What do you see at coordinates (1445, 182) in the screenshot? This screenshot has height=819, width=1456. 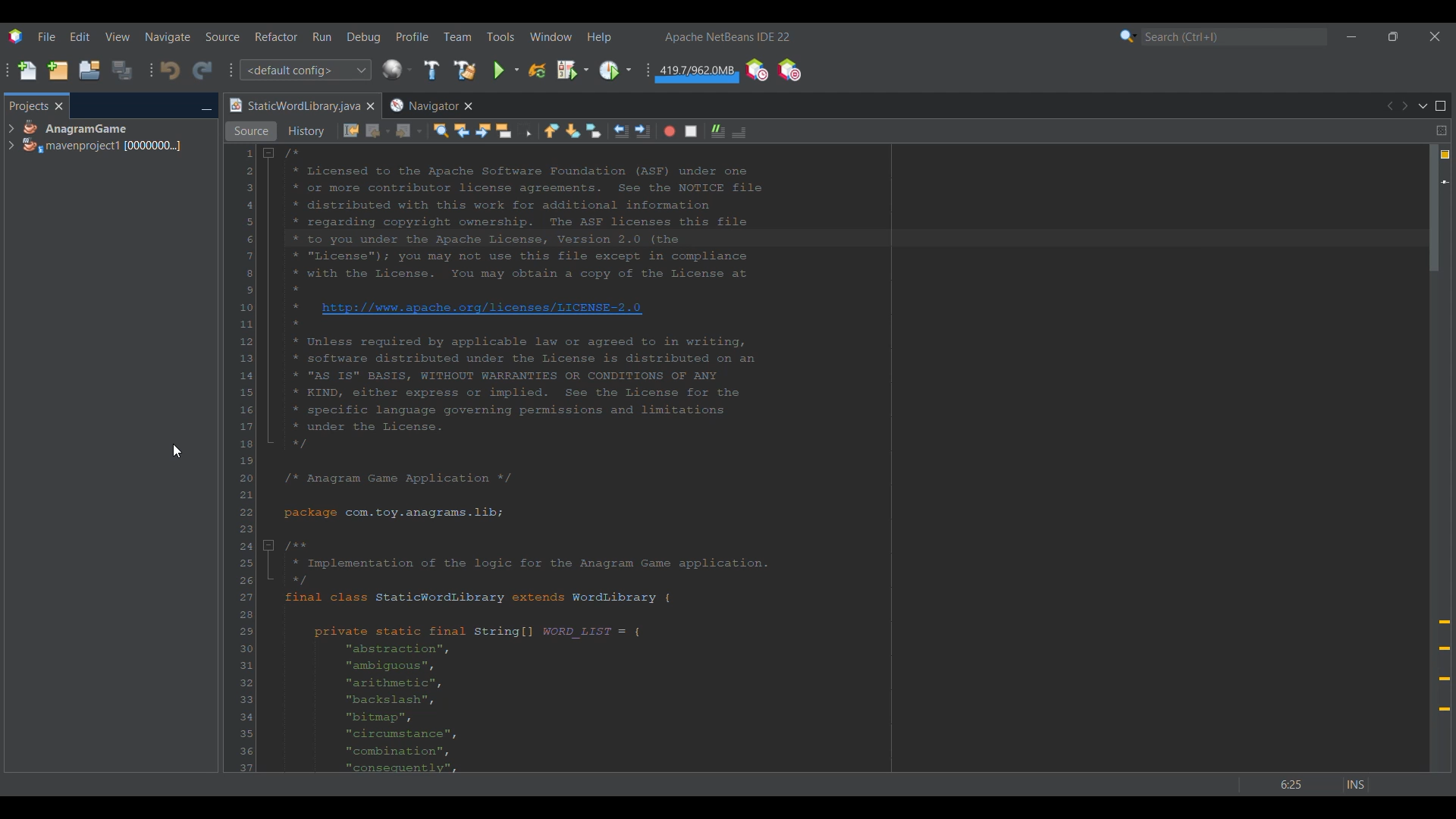 I see `Current line` at bounding box center [1445, 182].